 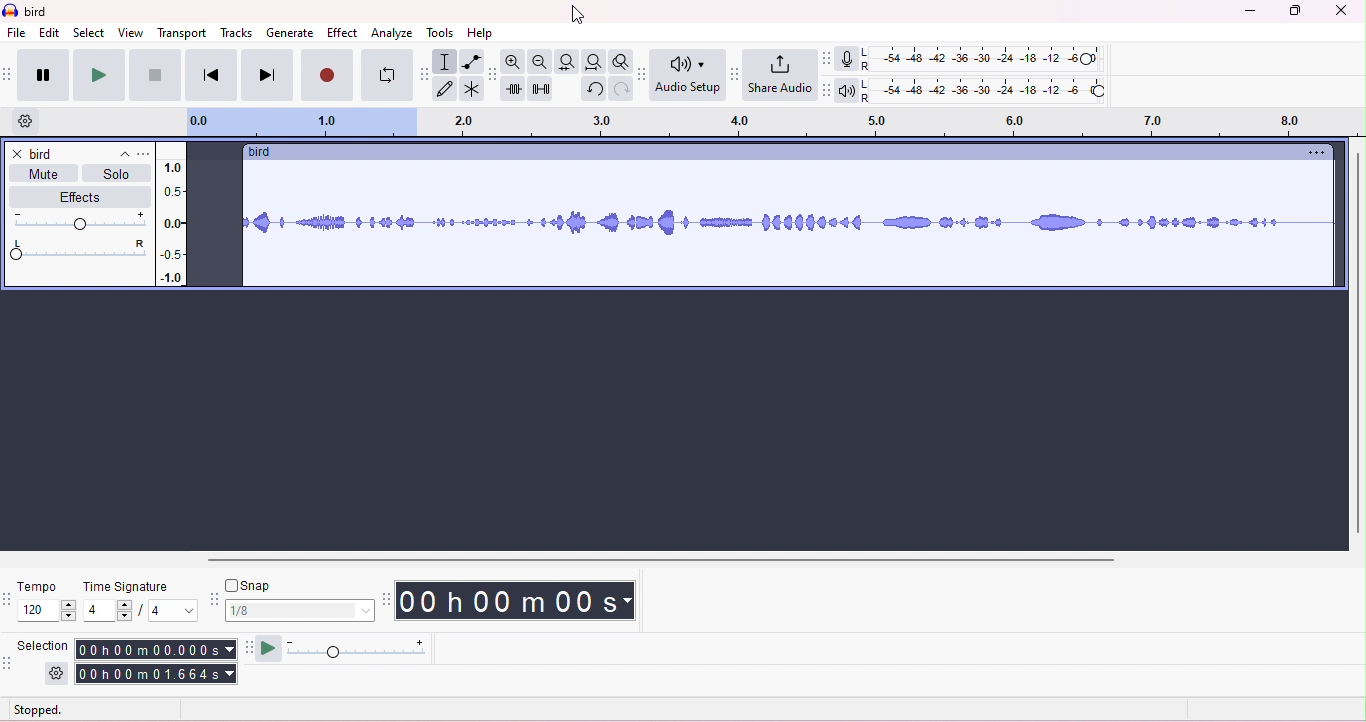 I want to click on select, so click(x=90, y=32).